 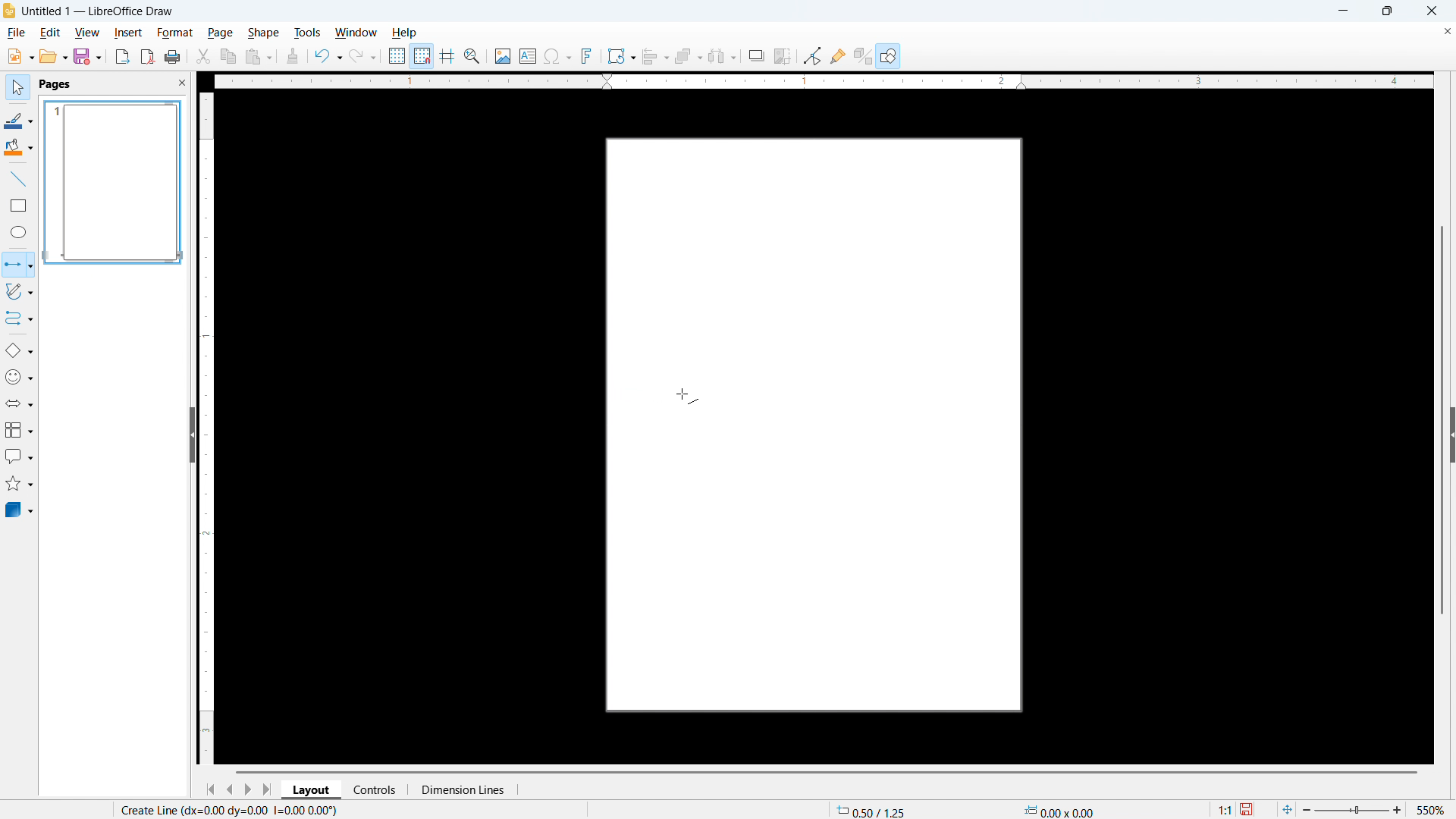 What do you see at coordinates (231, 810) in the screenshot?
I see `Create Line(dx=0.00 dy=0.00 I=0.00 0.00*)` at bounding box center [231, 810].